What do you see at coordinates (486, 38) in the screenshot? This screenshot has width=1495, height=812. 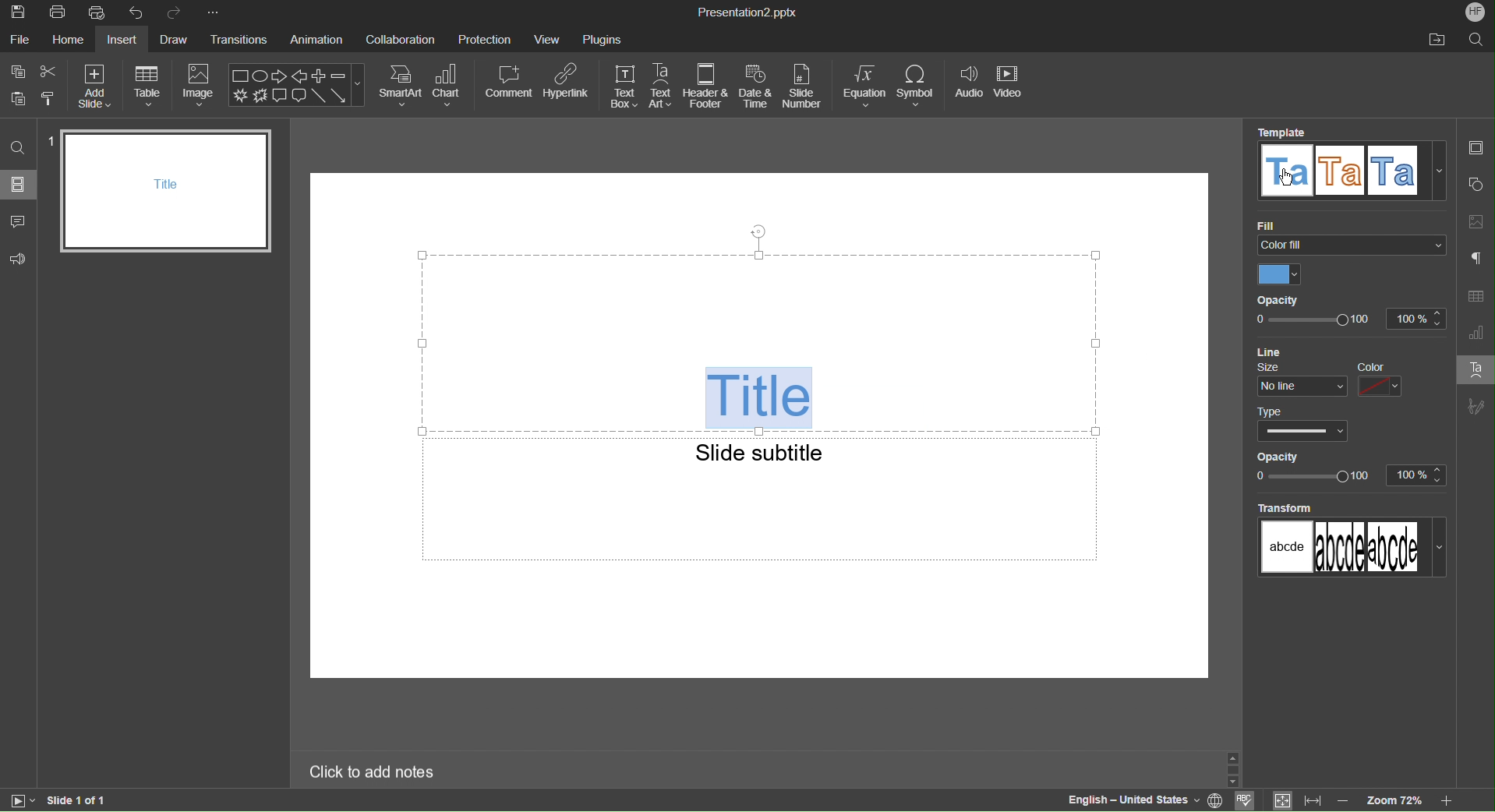 I see `Protection` at bounding box center [486, 38].